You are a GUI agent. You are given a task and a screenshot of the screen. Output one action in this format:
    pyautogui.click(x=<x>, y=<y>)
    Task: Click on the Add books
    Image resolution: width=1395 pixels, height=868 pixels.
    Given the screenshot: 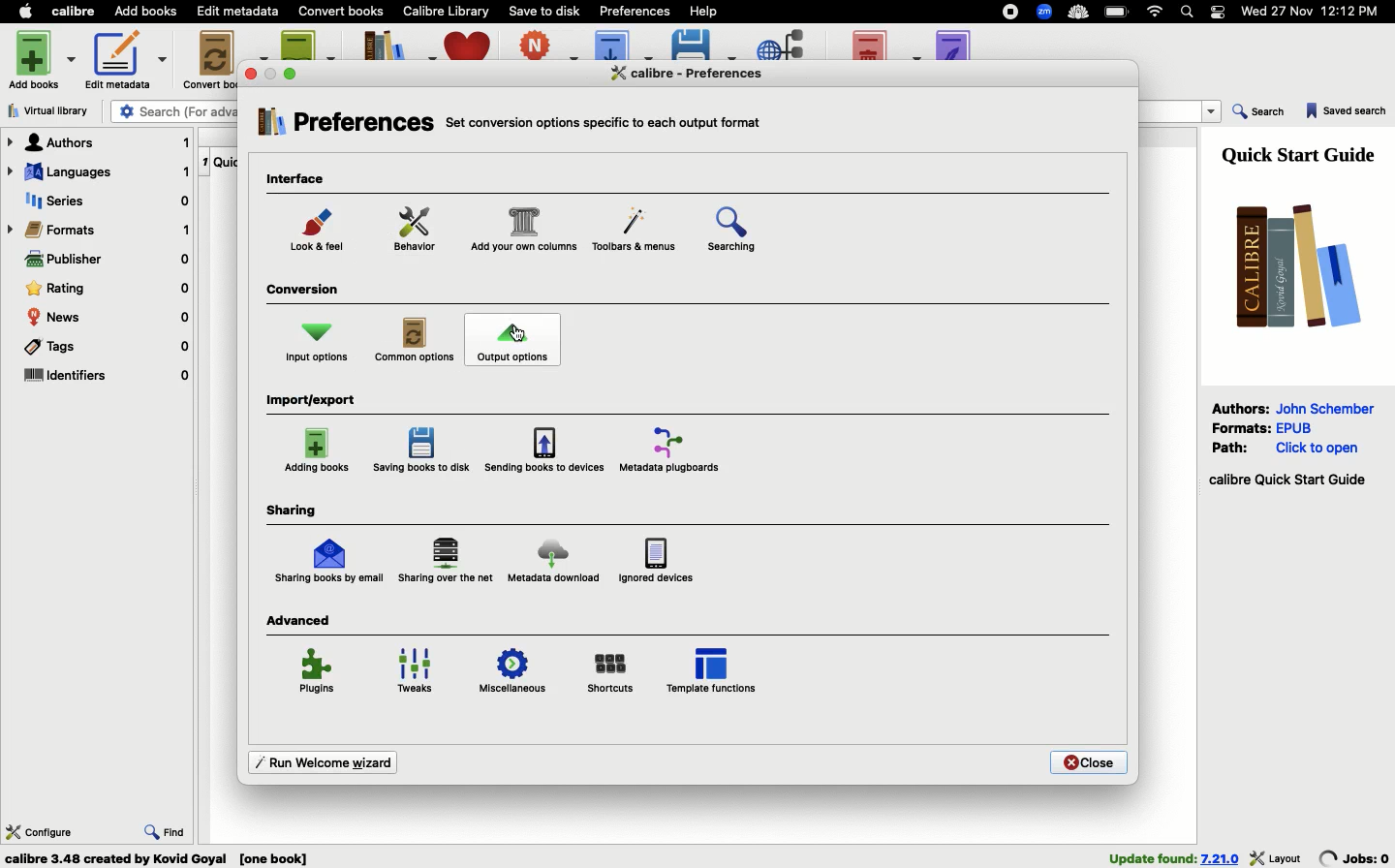 What is the action you would take?
    pyautogui.click(x=45, y=58)
    